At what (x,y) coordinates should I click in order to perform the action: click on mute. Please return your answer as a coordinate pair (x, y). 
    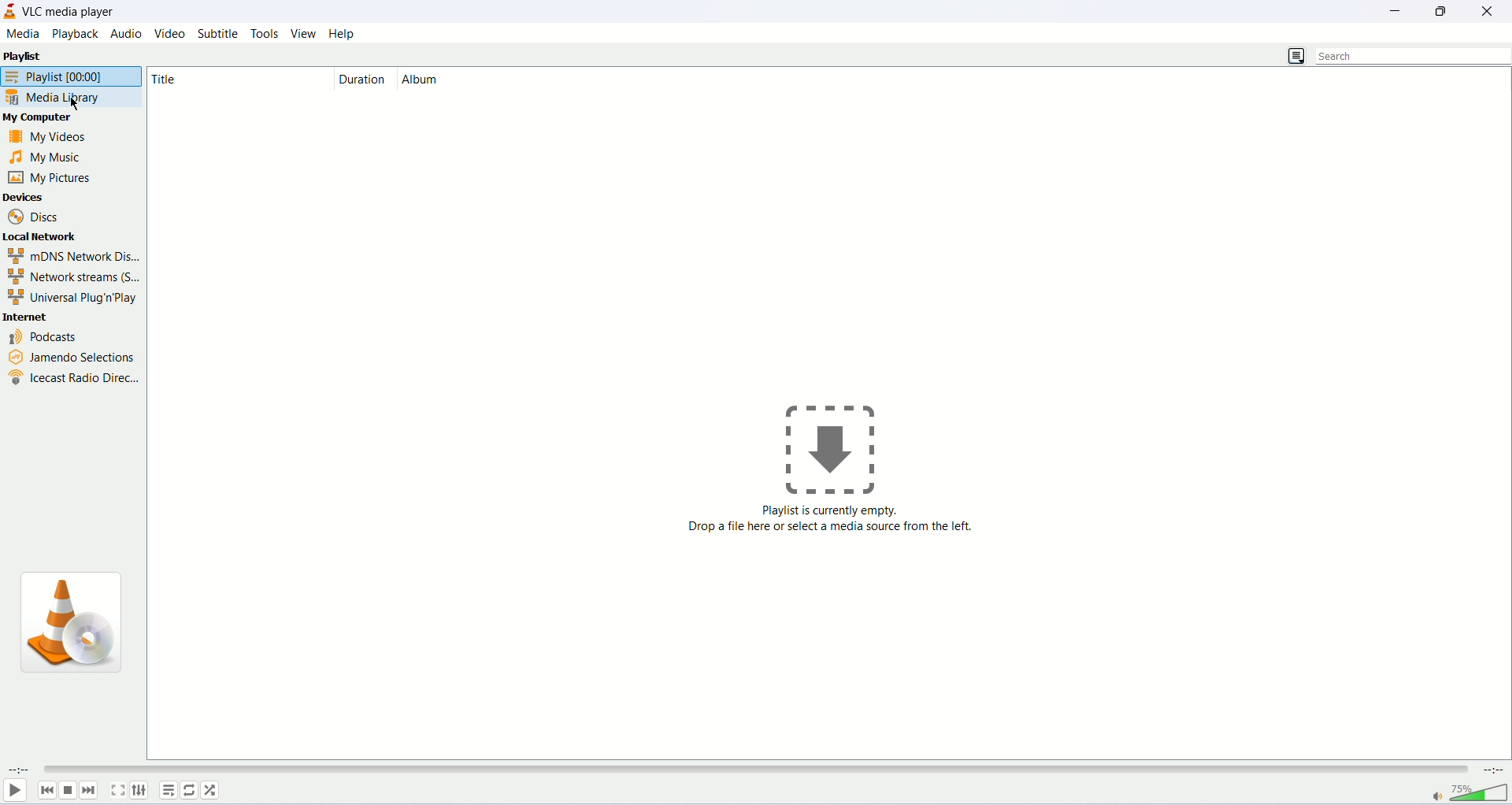
    Looking at the image, I should click on (1436, 798).